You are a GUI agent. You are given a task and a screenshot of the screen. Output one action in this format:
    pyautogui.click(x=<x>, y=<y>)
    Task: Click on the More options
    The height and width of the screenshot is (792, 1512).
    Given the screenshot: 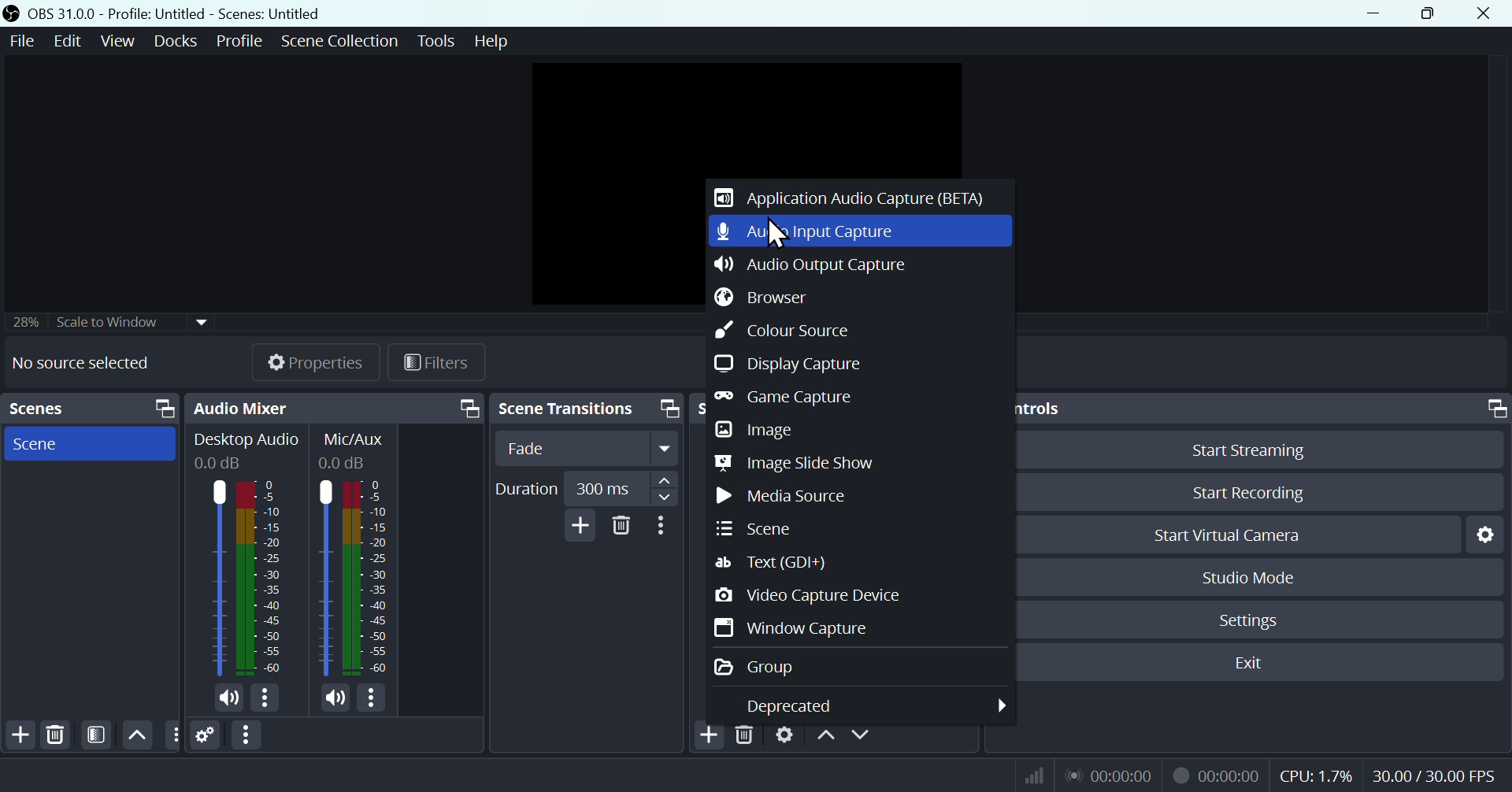 What is the action you would take?
    pyautogui.click(x=374, y=698)
    